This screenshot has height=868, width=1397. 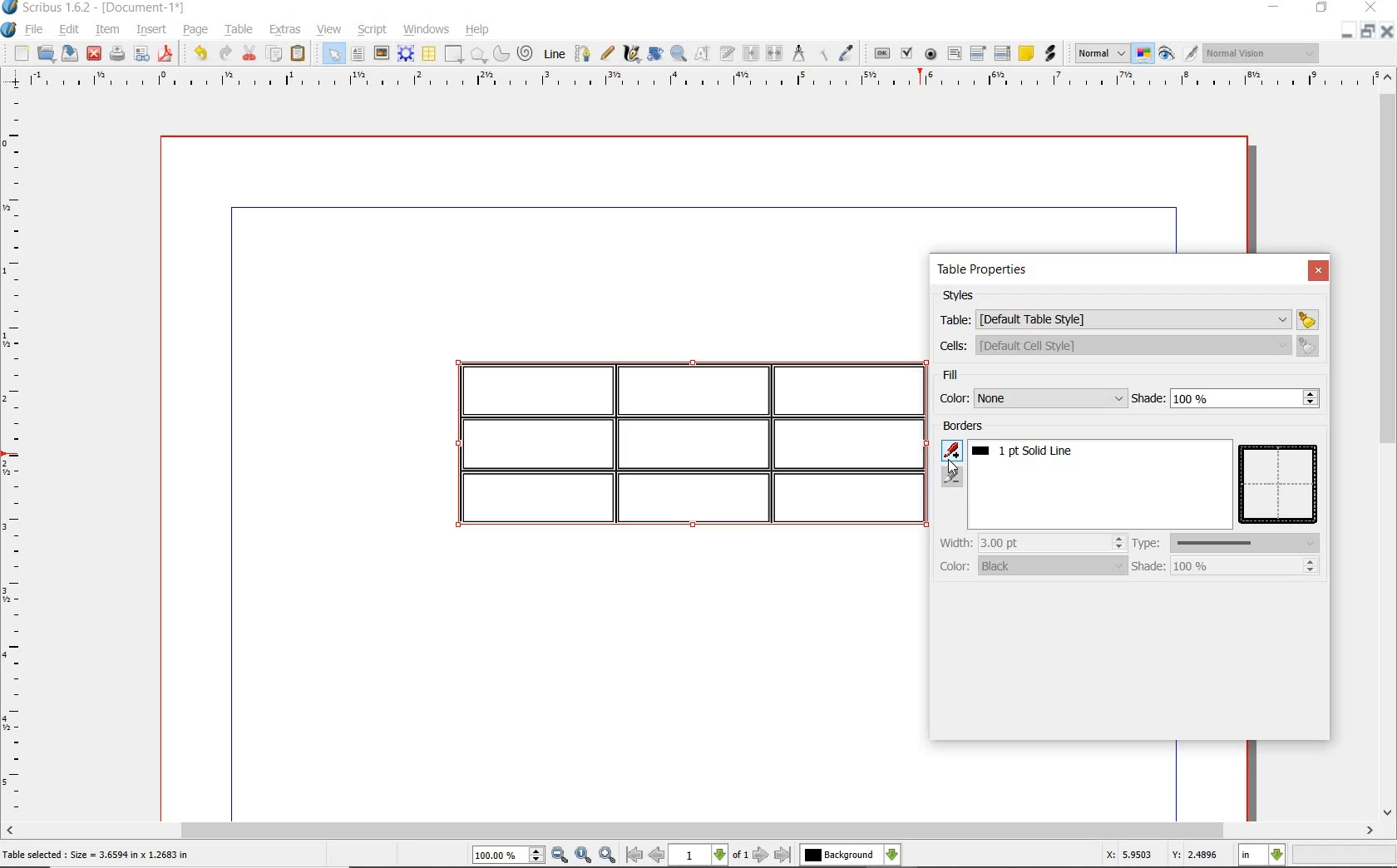 What do you see at coordinates (1317, 270) in the screenshot?
I see `close` at bounding box center [1317, 270].